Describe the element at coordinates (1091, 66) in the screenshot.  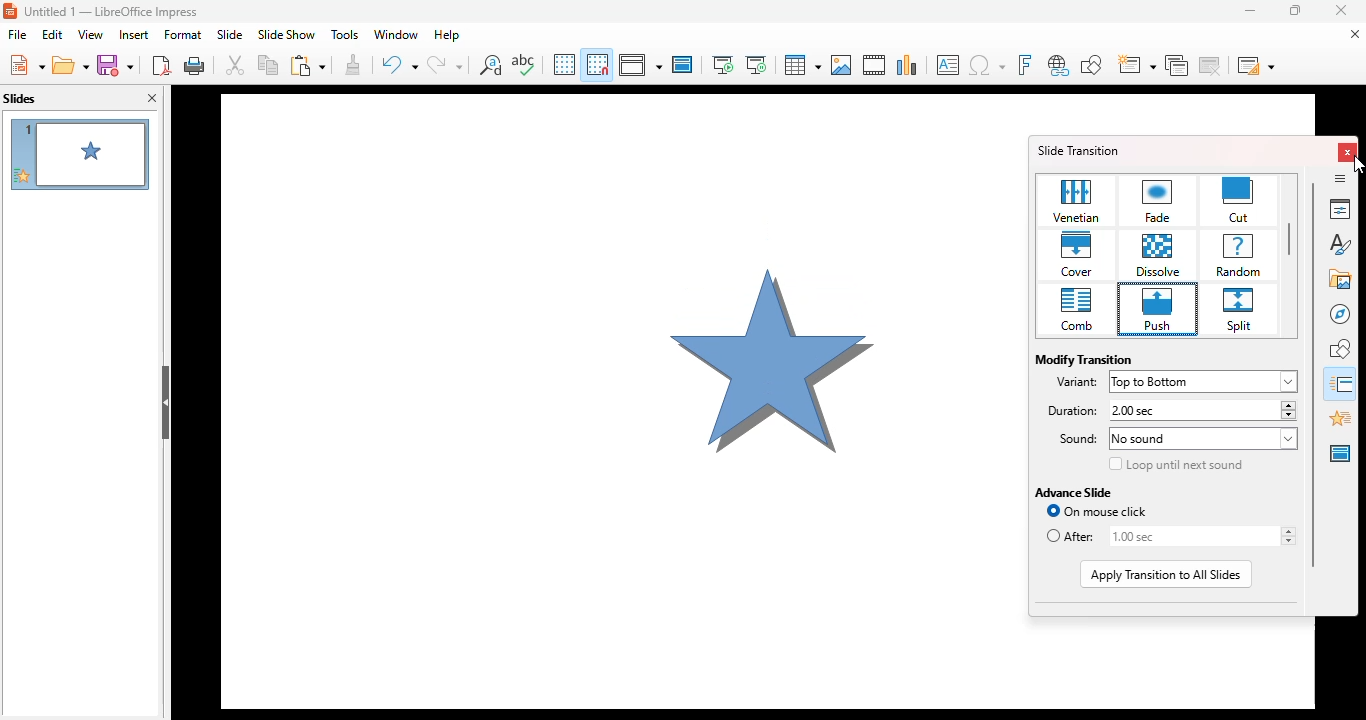
I see `show draw functions` at that location.